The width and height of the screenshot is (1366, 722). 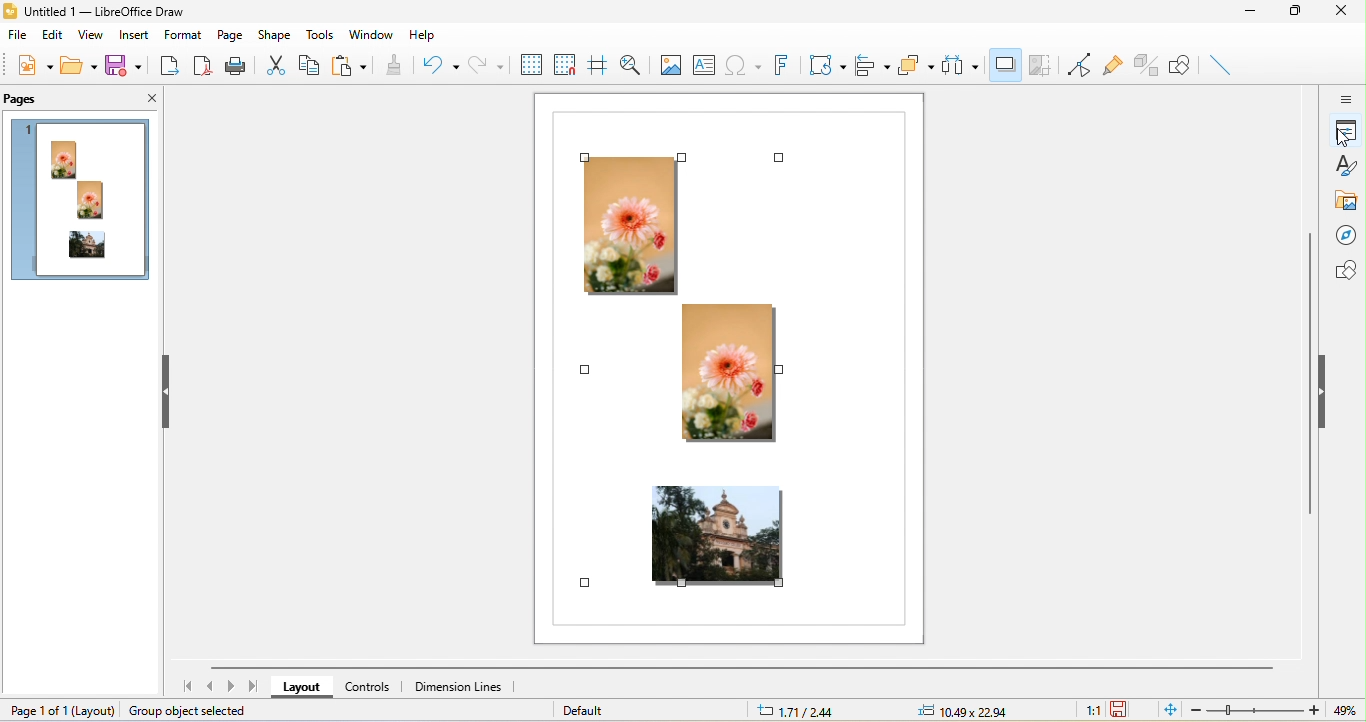 I want to click on default, so click(x=600, y=709).